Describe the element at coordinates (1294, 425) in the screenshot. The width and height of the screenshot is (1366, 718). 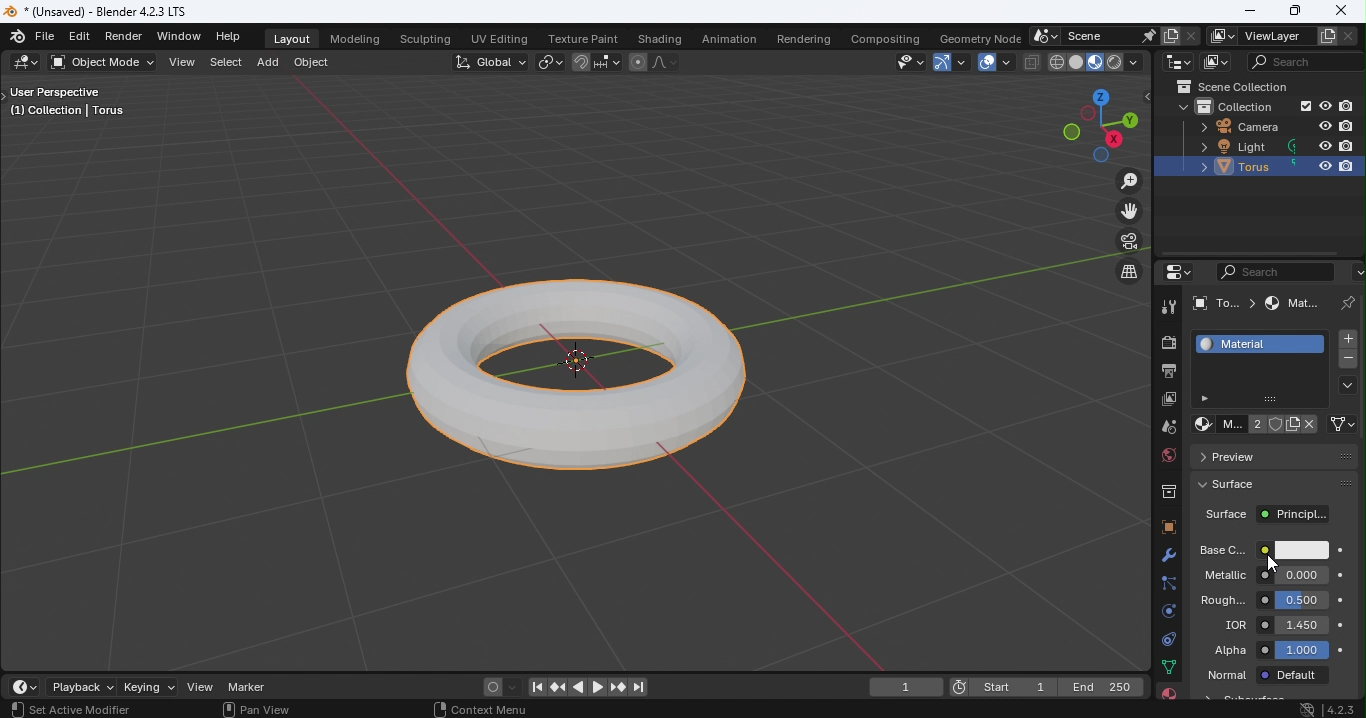
I see `New Material` at that location.